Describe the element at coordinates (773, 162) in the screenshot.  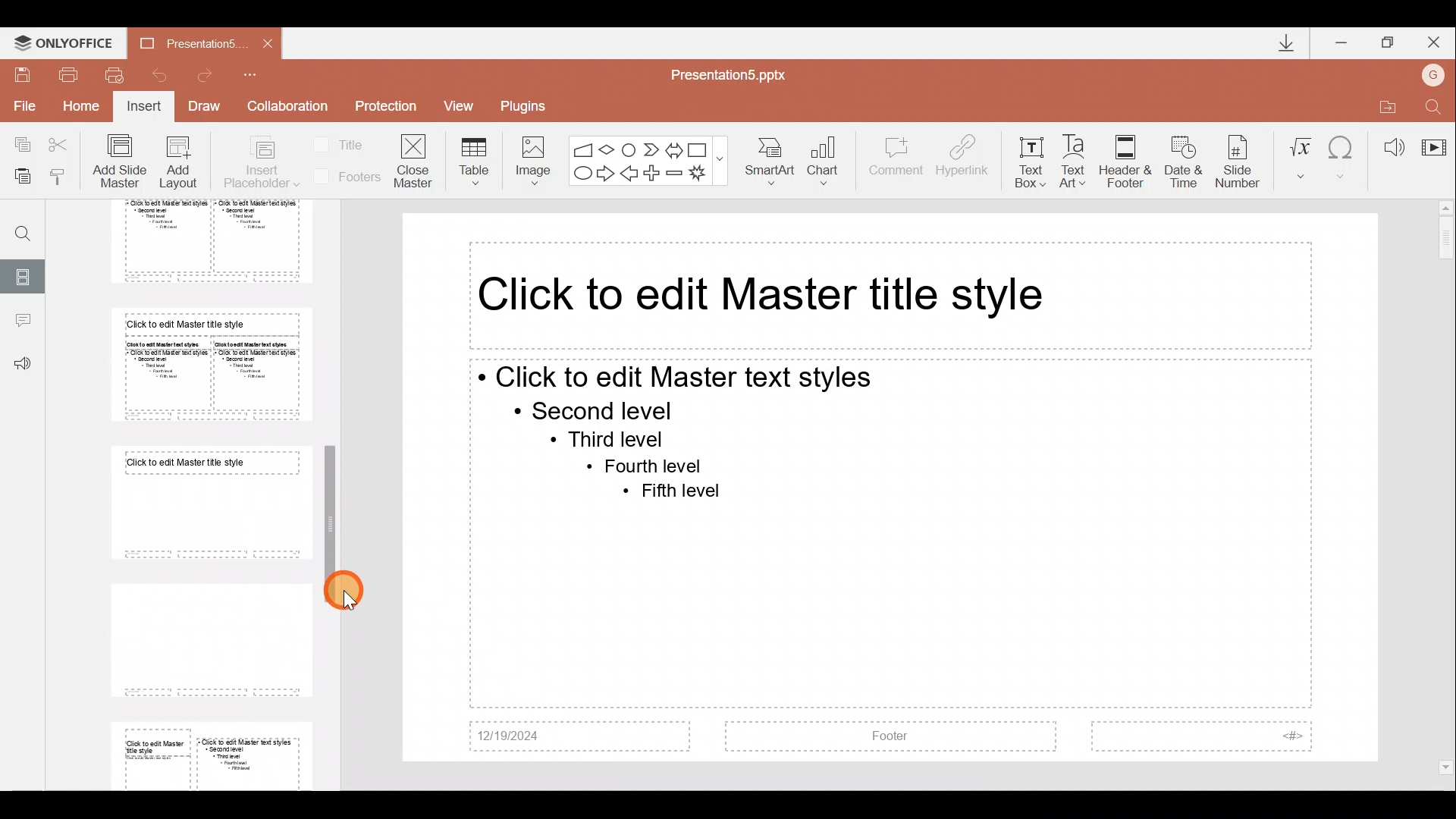
I see `SmartArt` at that location.